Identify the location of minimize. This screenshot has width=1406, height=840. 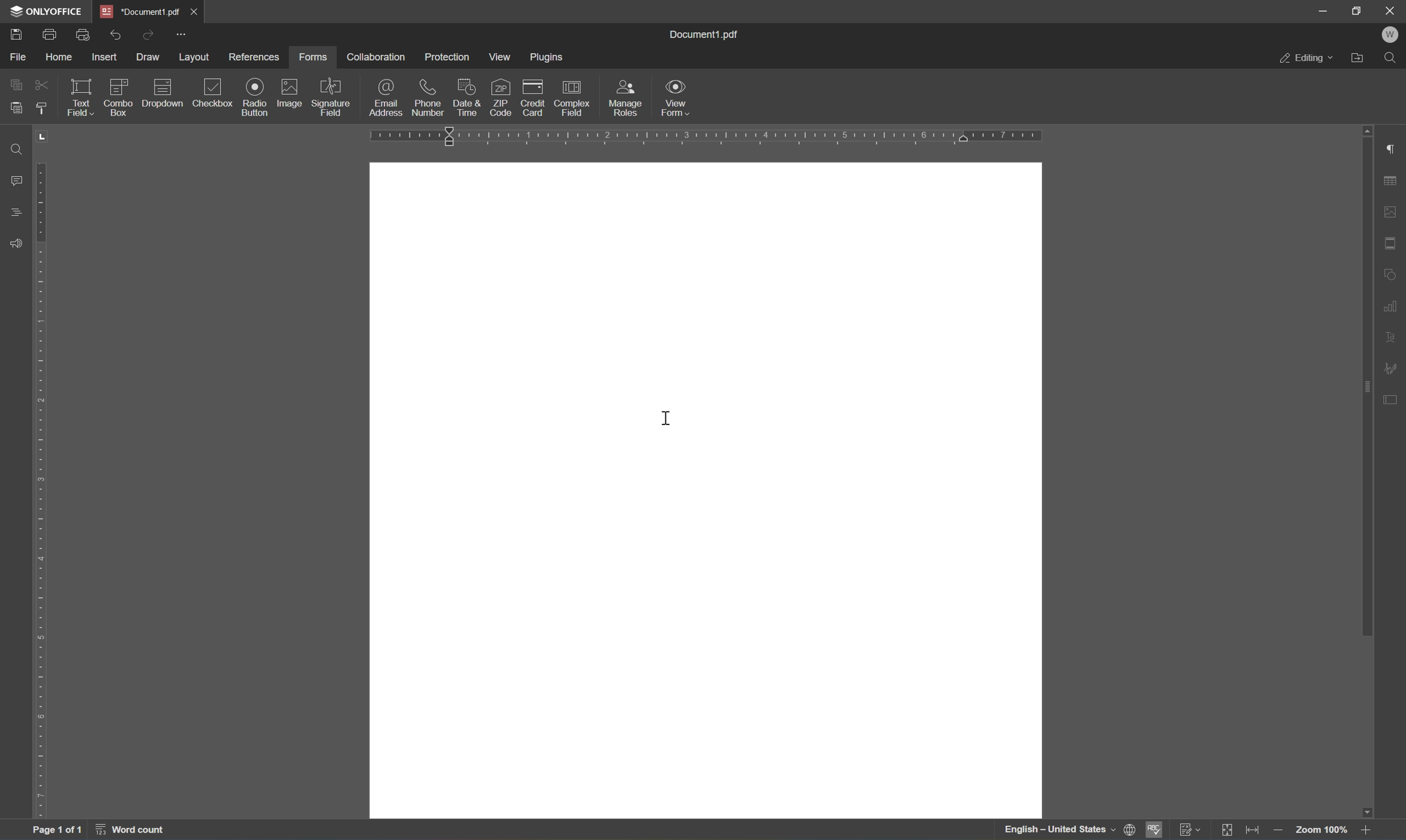
(1318, 10).